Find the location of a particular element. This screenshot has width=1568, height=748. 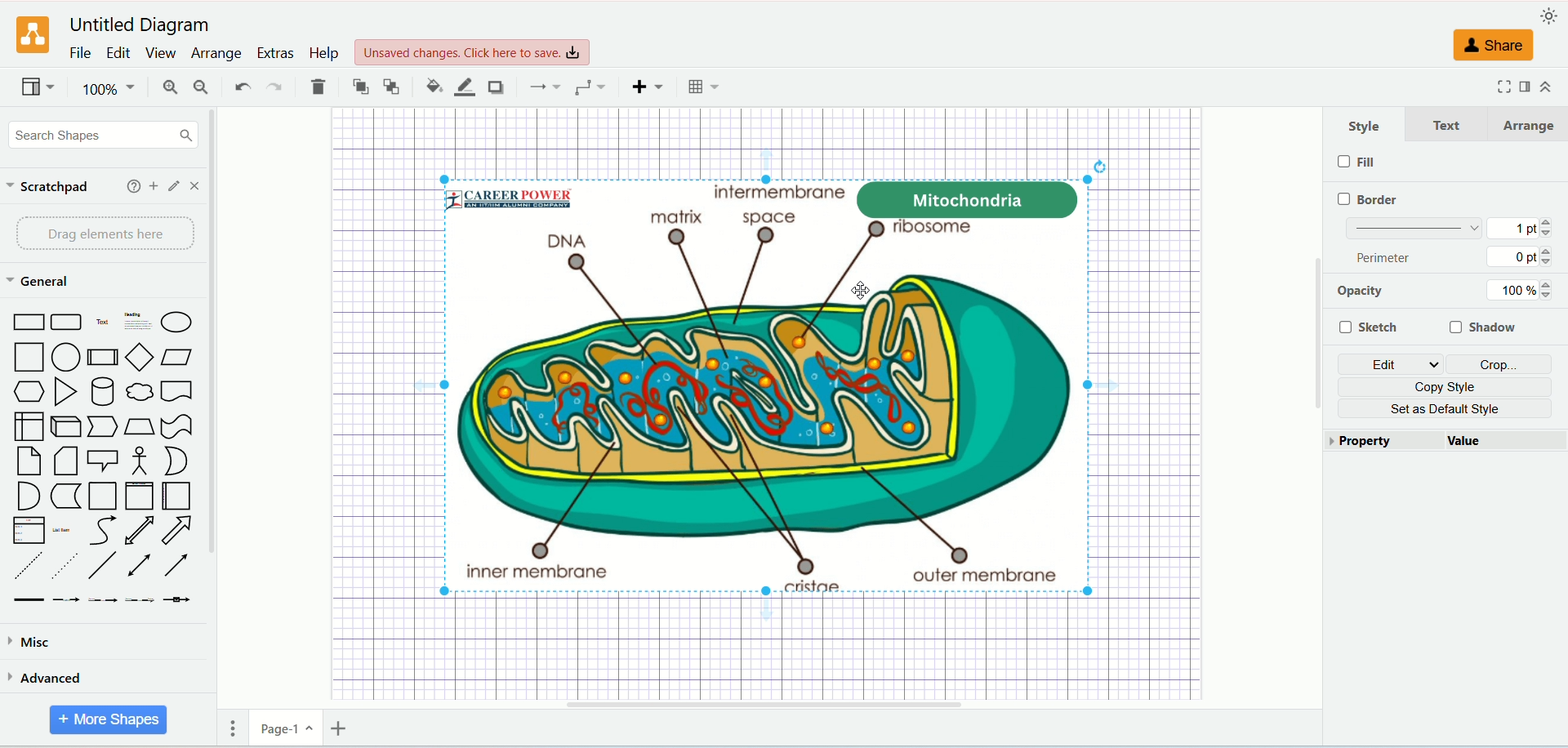

file is located at coordinates (79, 52).